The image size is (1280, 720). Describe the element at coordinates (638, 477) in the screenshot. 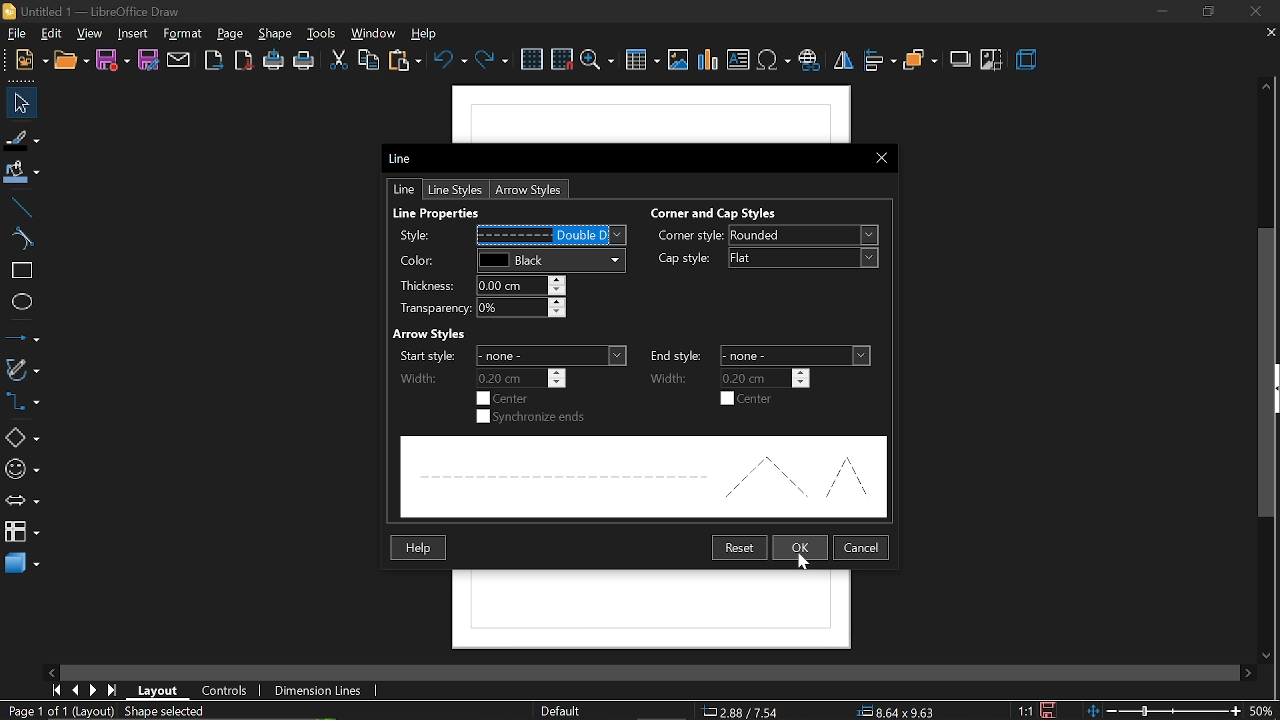

I see `preview` at that location.